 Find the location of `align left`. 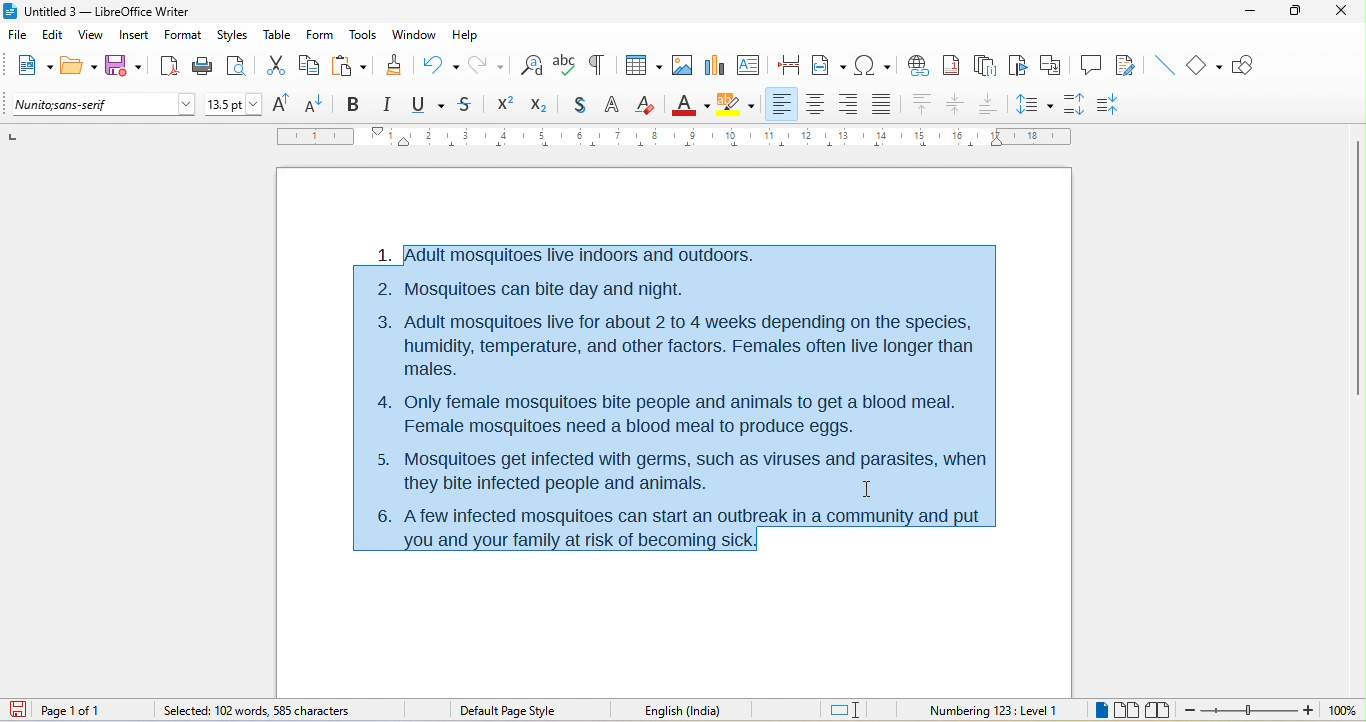

align left is located at coordinates (783, 104).